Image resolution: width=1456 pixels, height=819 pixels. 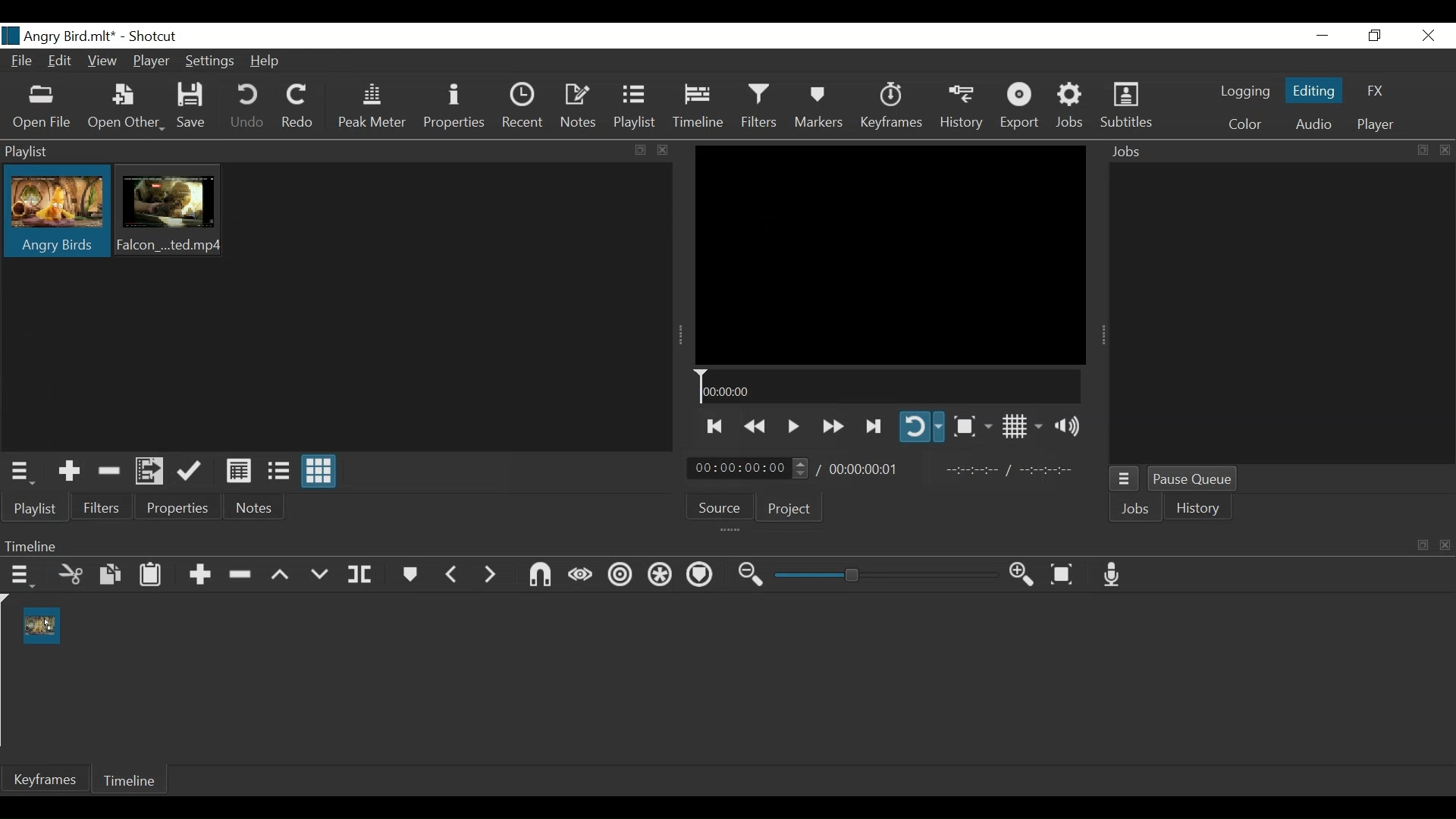 I want to click on Project, so click(x=790, y=511).